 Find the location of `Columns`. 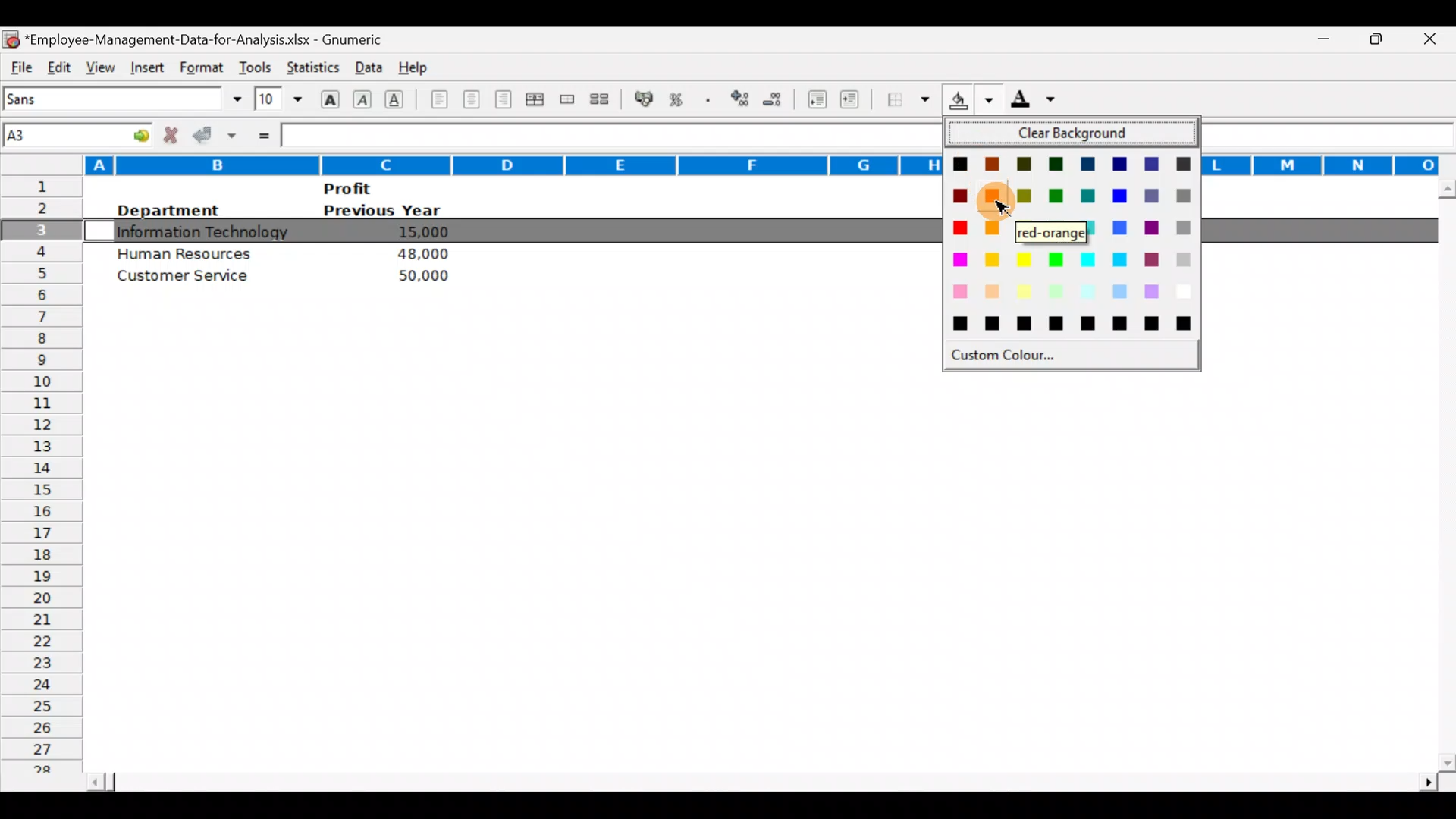

Columns is located at coordinates (467, 164).